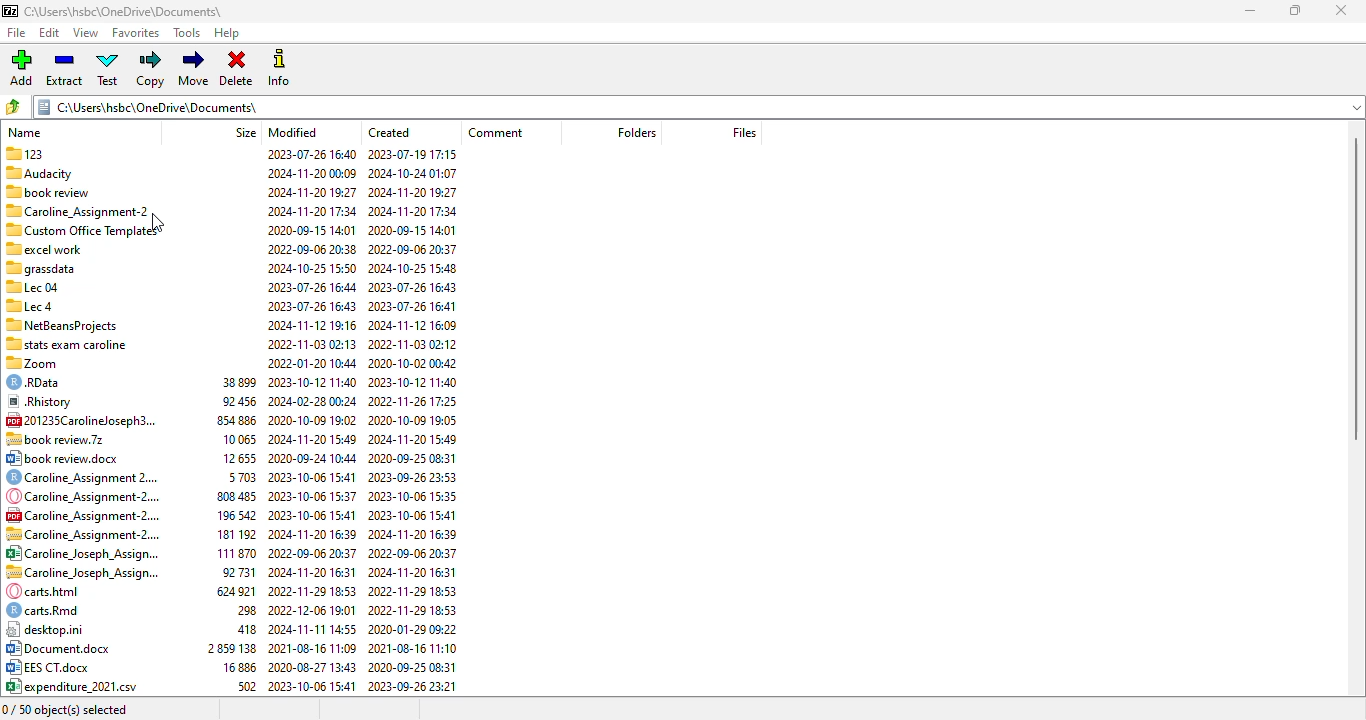  I want to click on 8 201235CarolineJoseph3..., so click(88, 419).